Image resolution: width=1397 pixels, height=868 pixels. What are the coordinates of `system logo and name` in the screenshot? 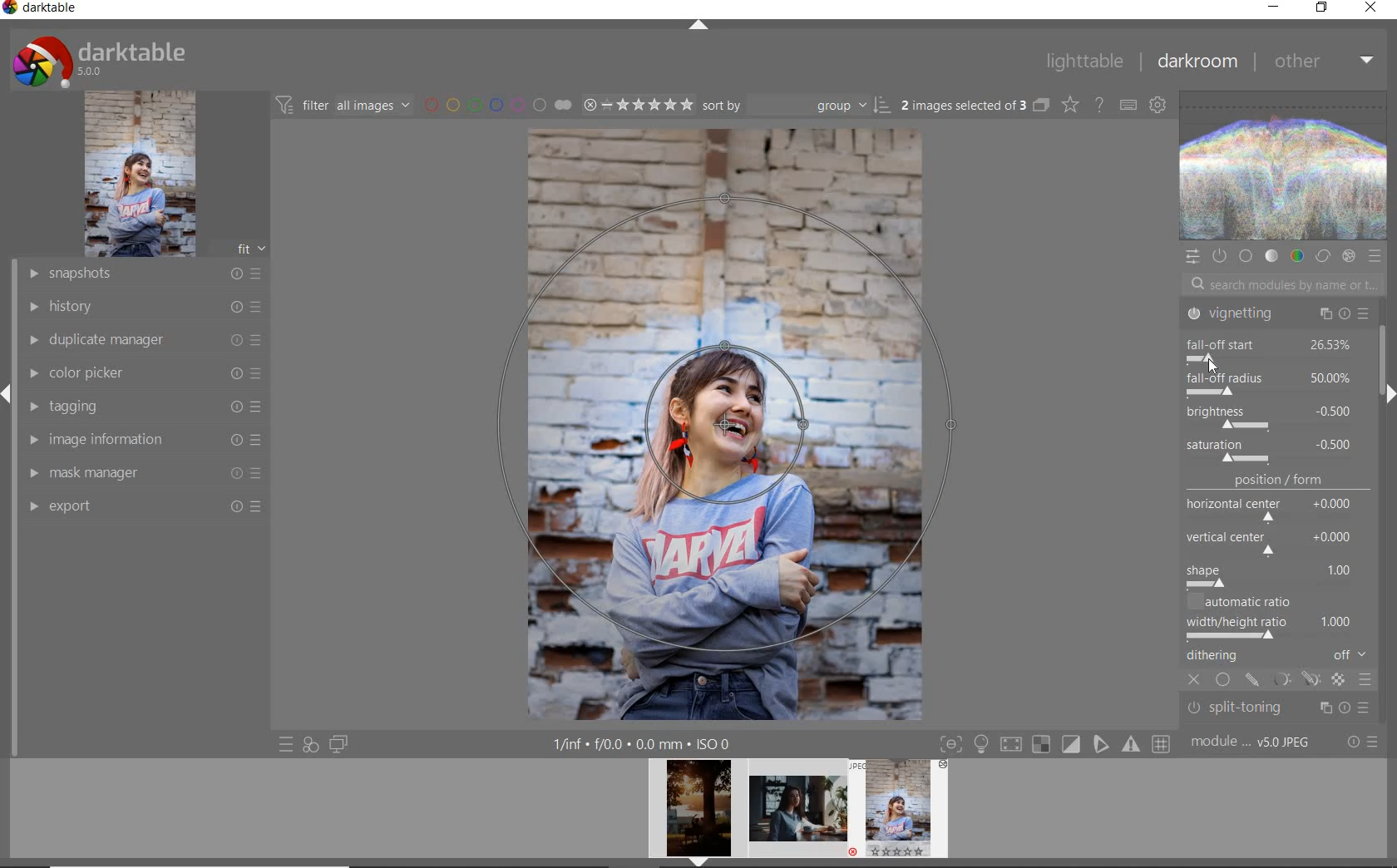 It's located at (102, 59).